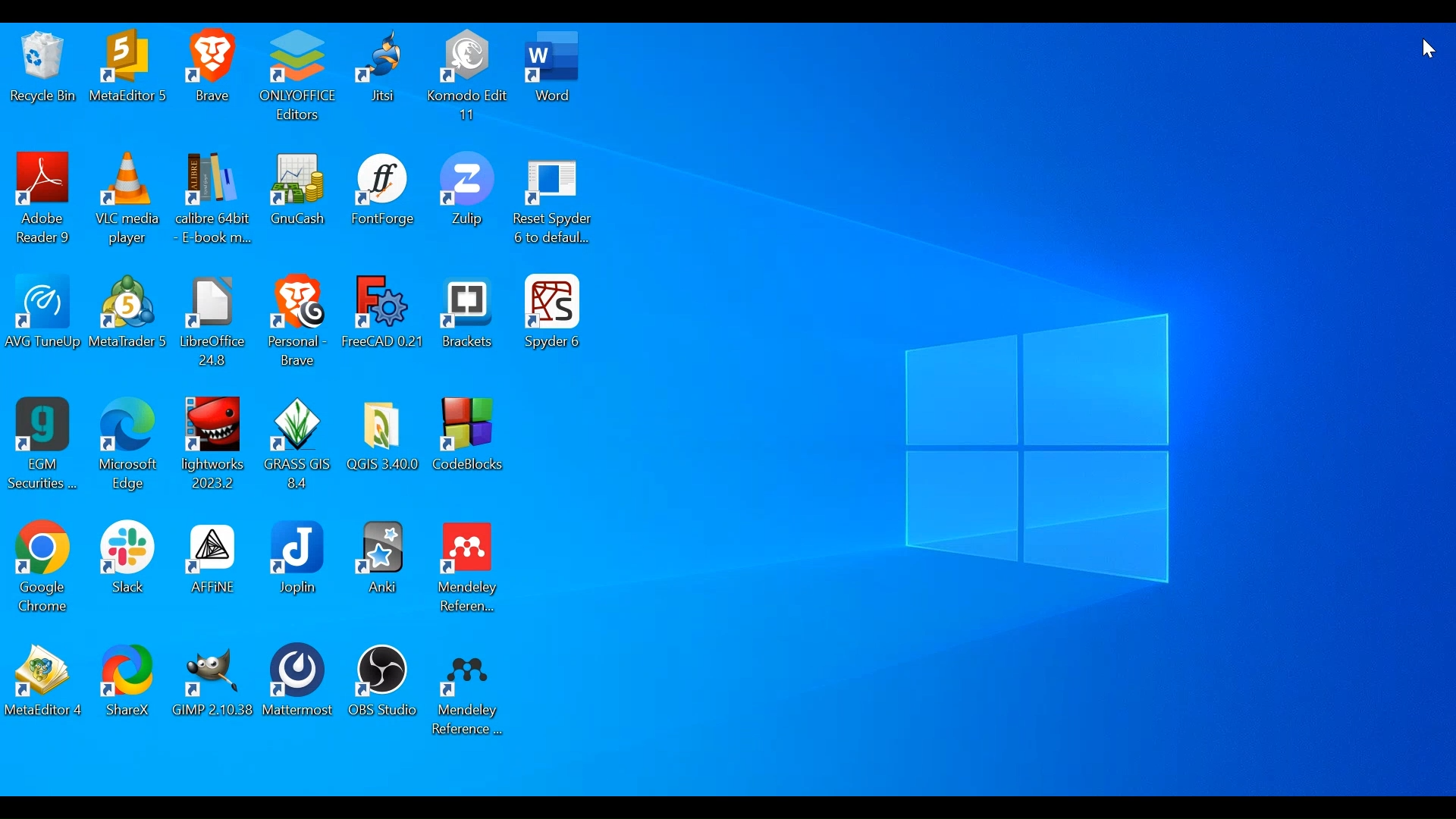 The height and width of the screenshot is (819, 1456). I want to click on Affine , so click(211, 570).